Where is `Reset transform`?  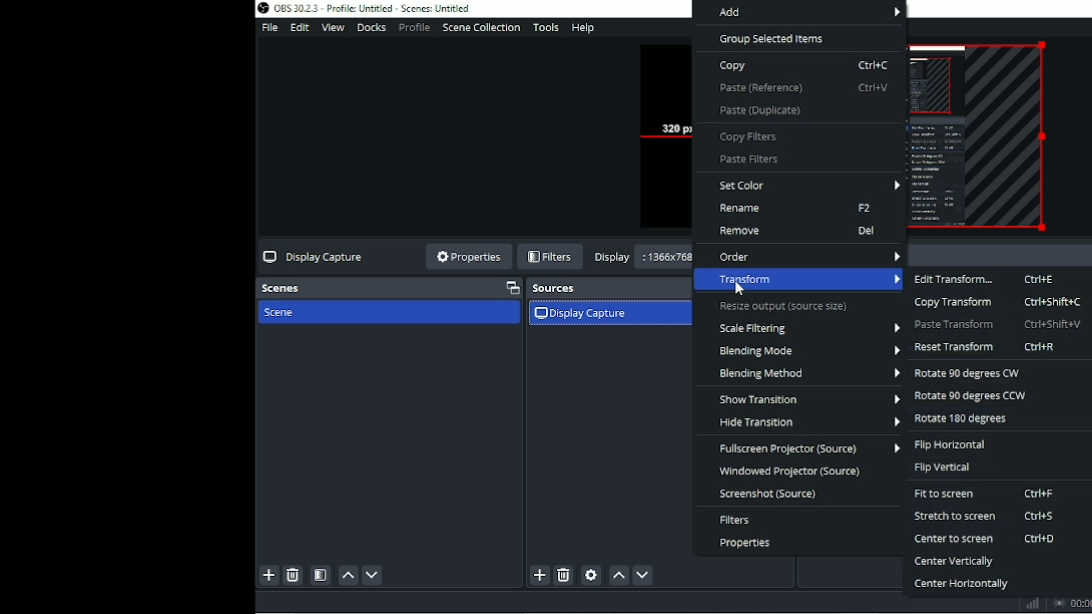 Reset transform is located at coordinates (987, 346).